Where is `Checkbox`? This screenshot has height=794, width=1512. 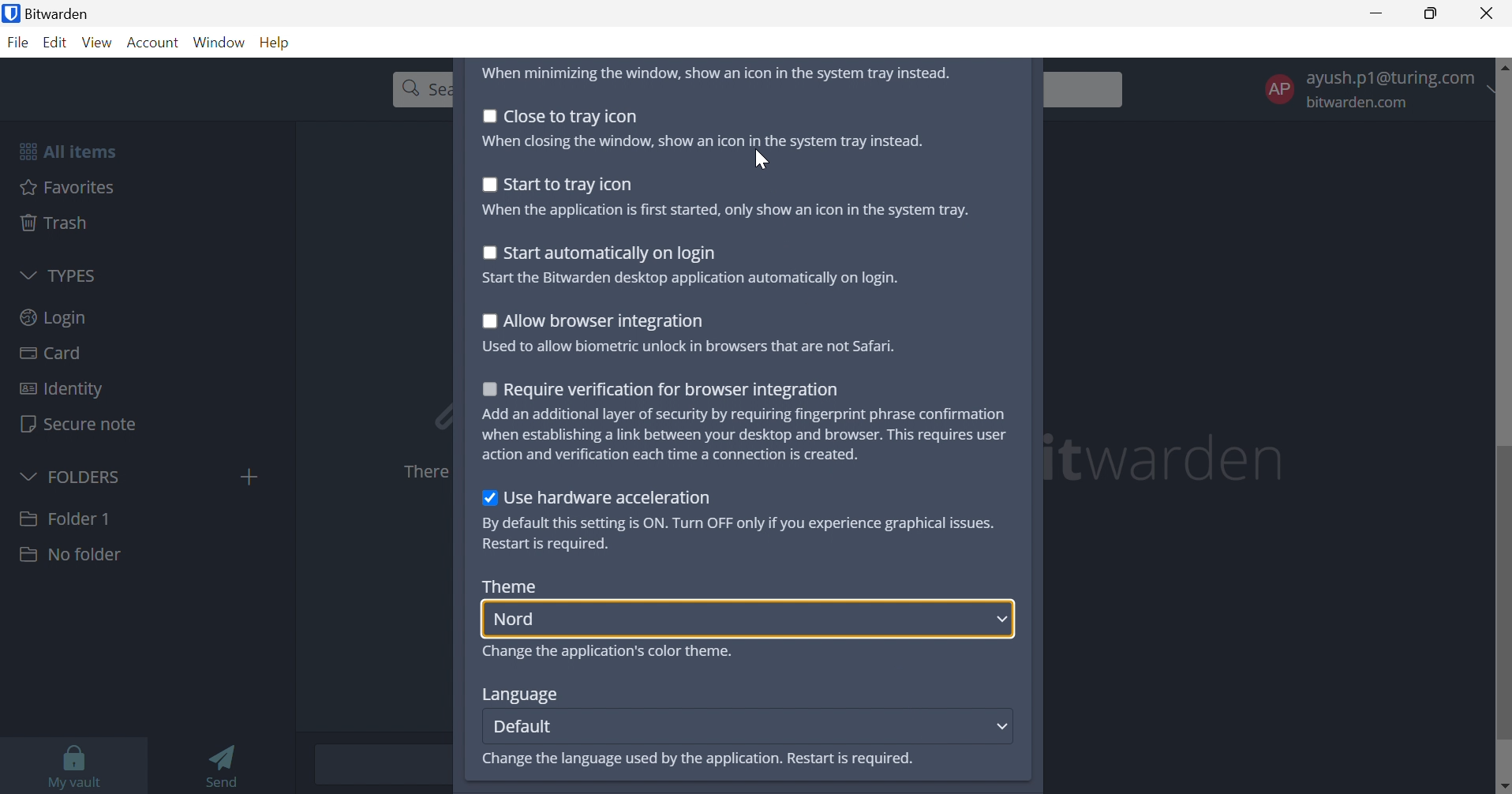 Checkbox is located at coordinates (486, 252).